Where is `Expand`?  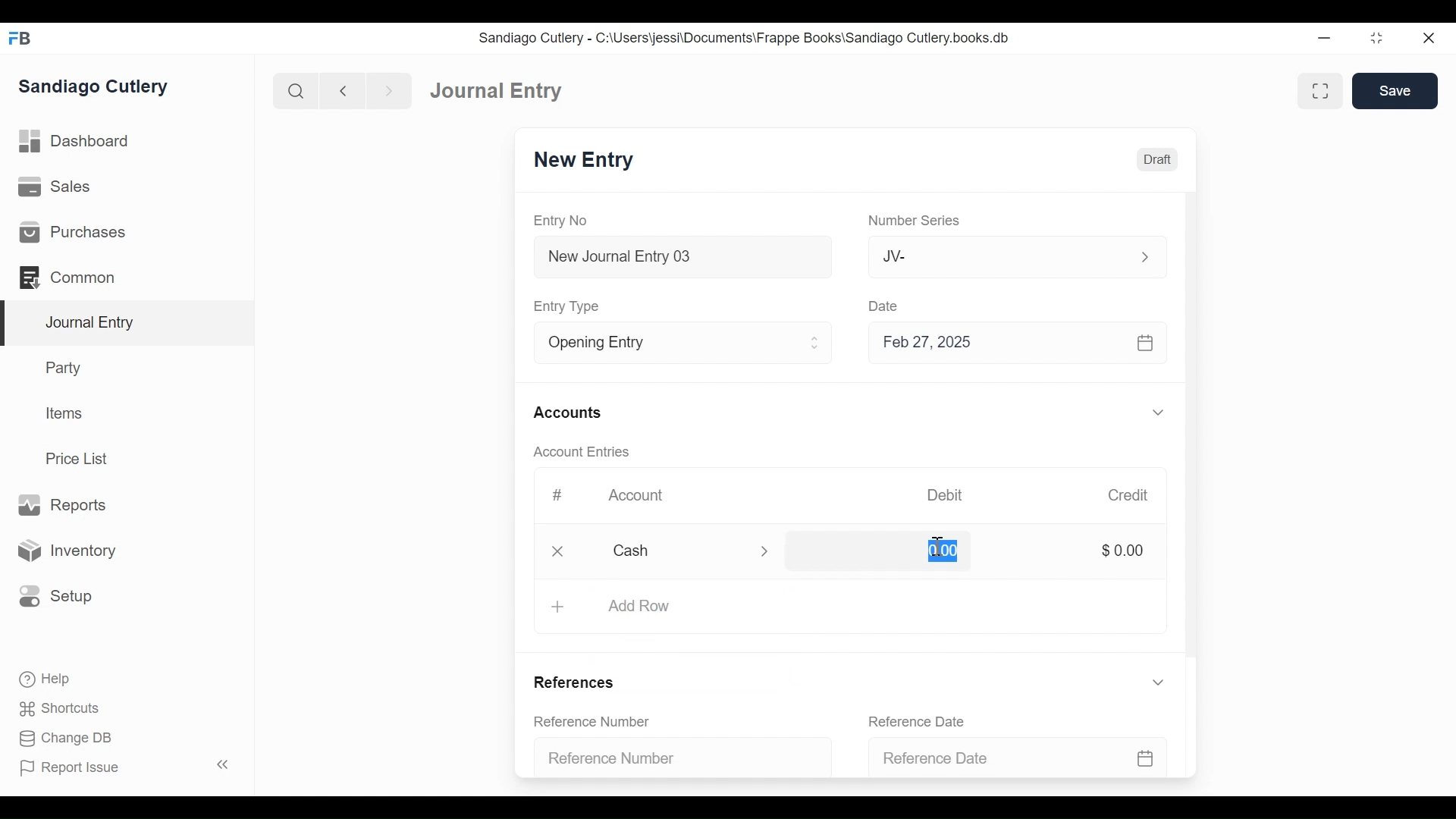 Expand is located at coordinates (1160, 412).